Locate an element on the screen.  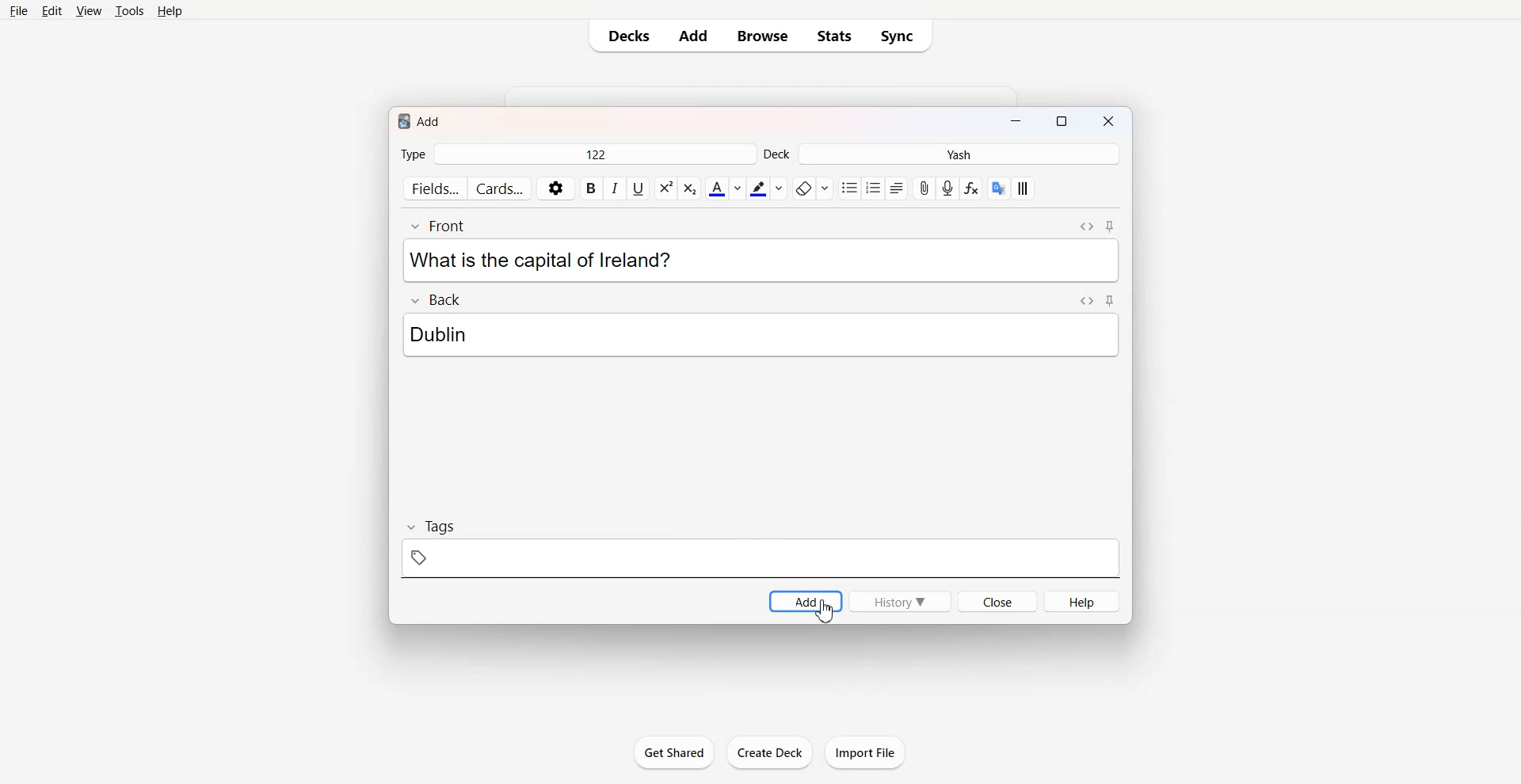
Subscript is located at coordinates (665, 188).